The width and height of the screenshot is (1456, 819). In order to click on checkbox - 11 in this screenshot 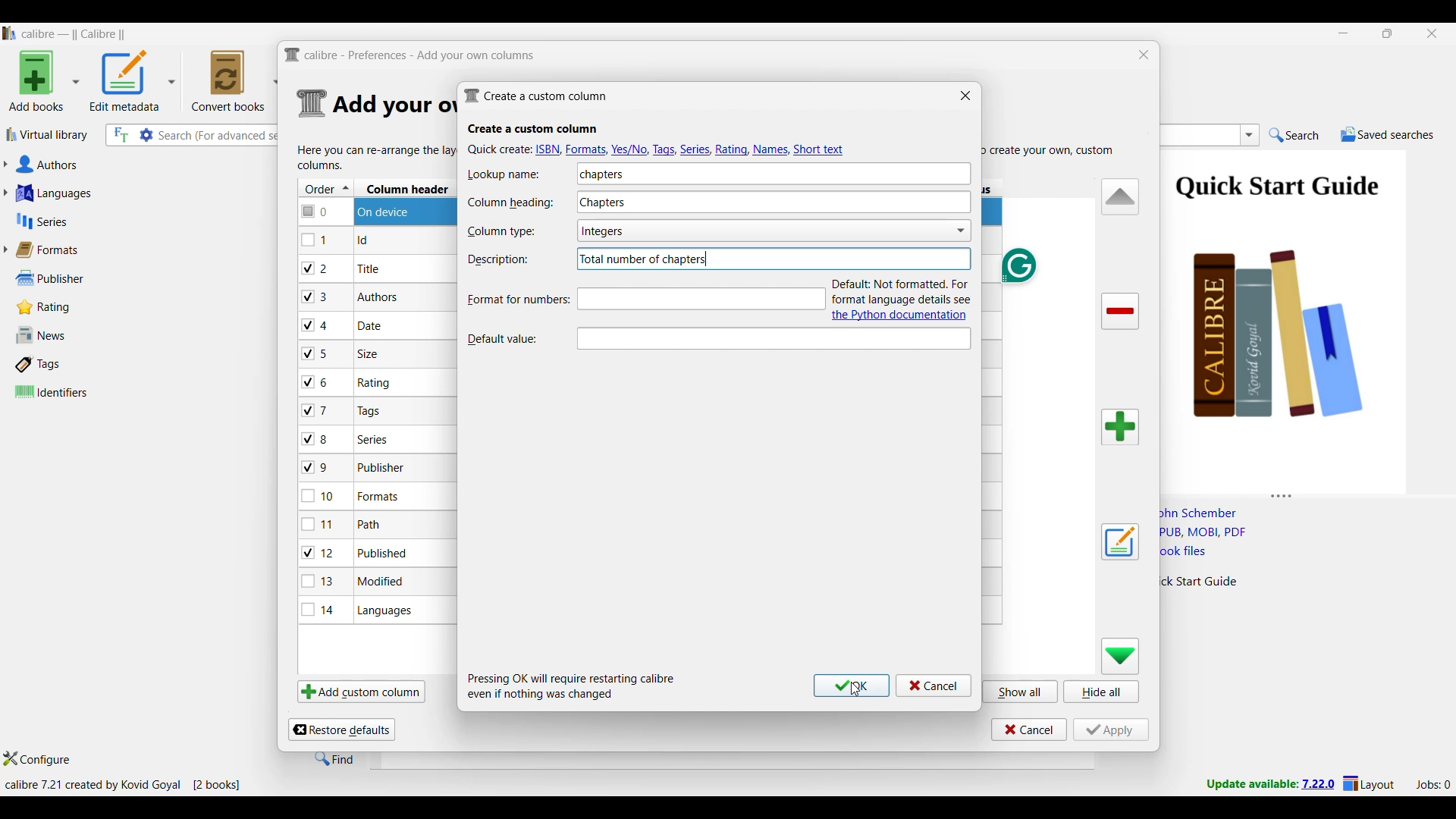, I will do `click(320, 524)`.